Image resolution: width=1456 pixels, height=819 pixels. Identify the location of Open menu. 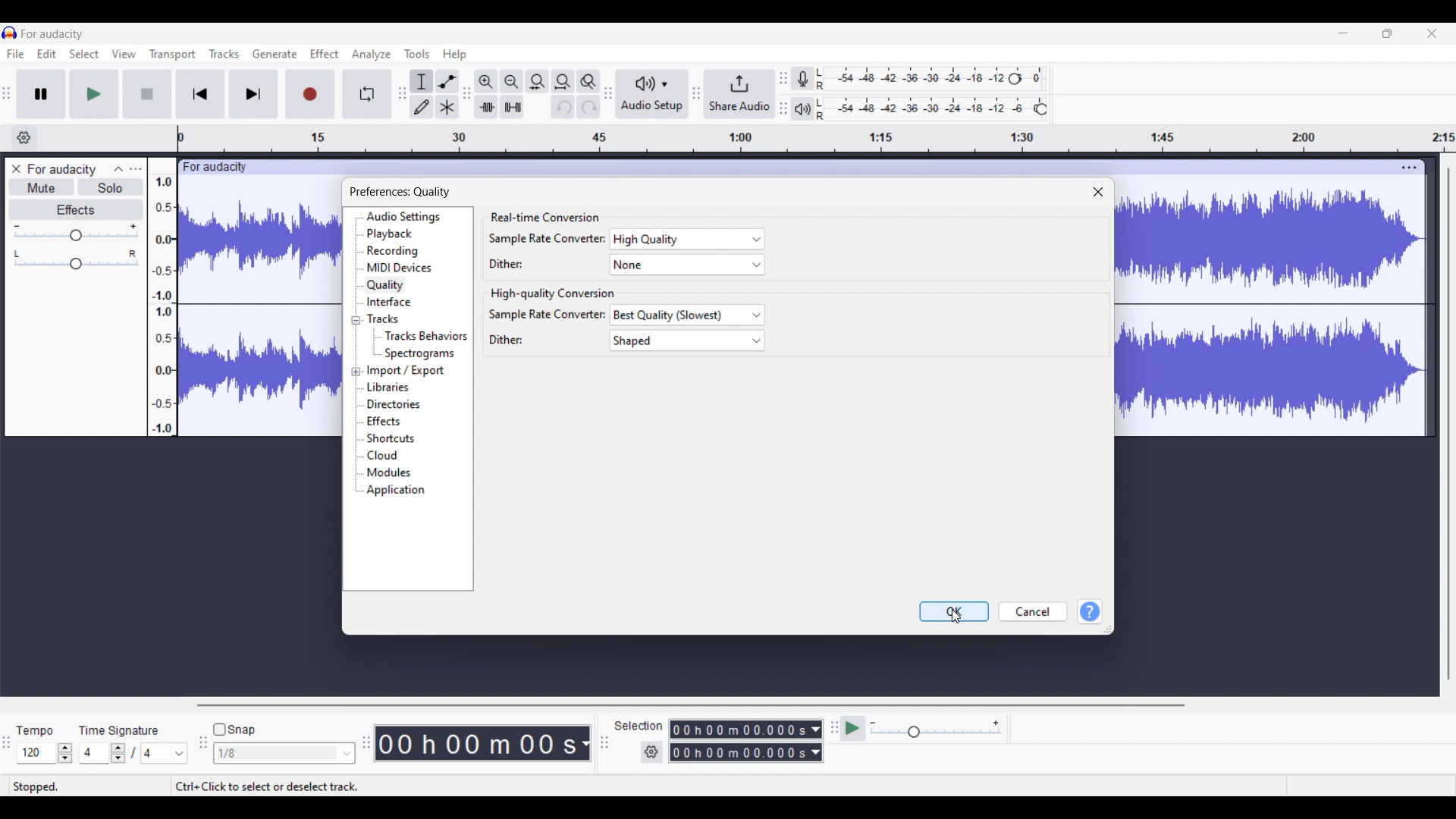
(136, 169).